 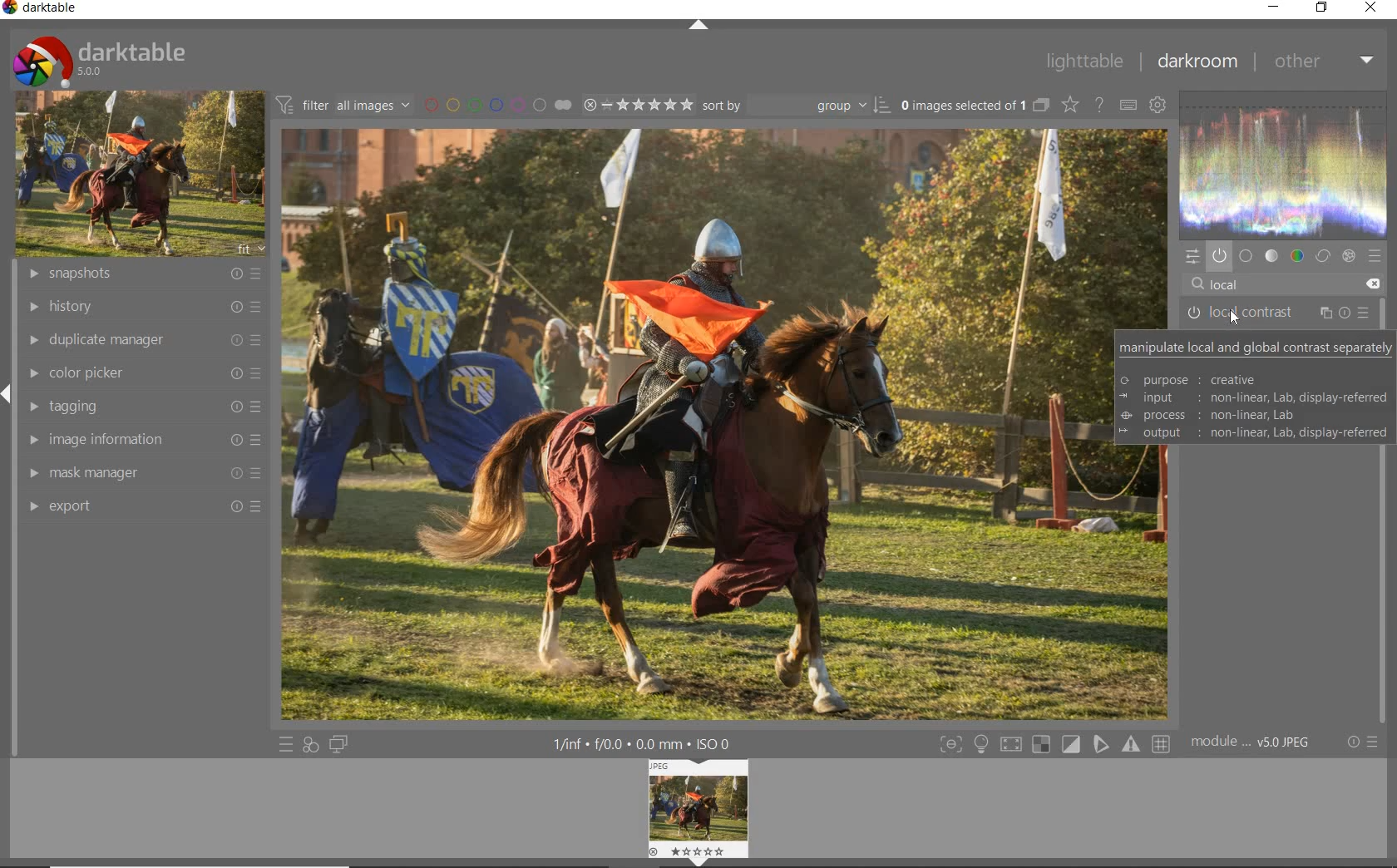 I want to click on system logo & name, so click(x=99, y=60).